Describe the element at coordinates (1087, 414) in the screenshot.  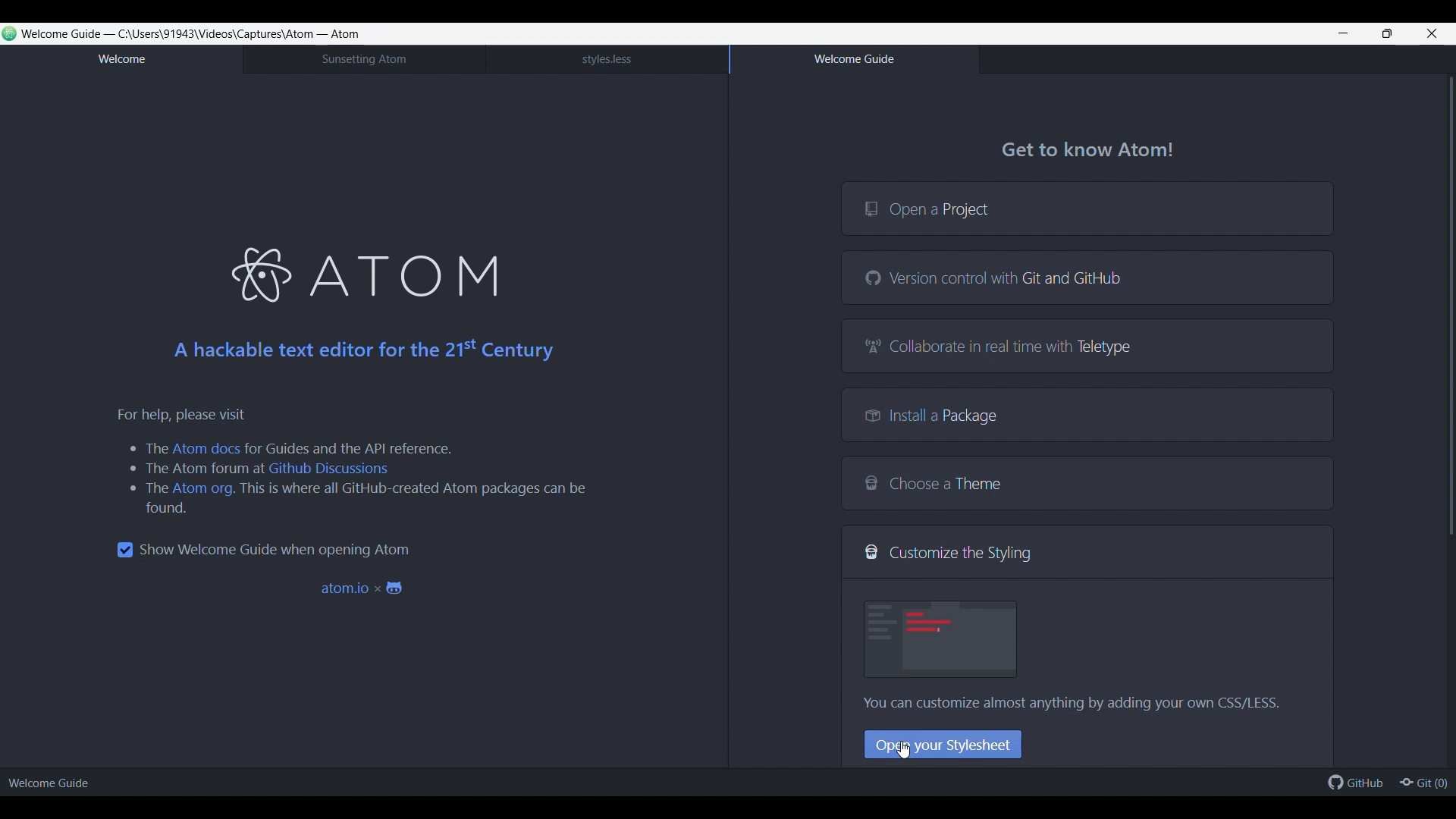
I see `Install a Package` at that location.